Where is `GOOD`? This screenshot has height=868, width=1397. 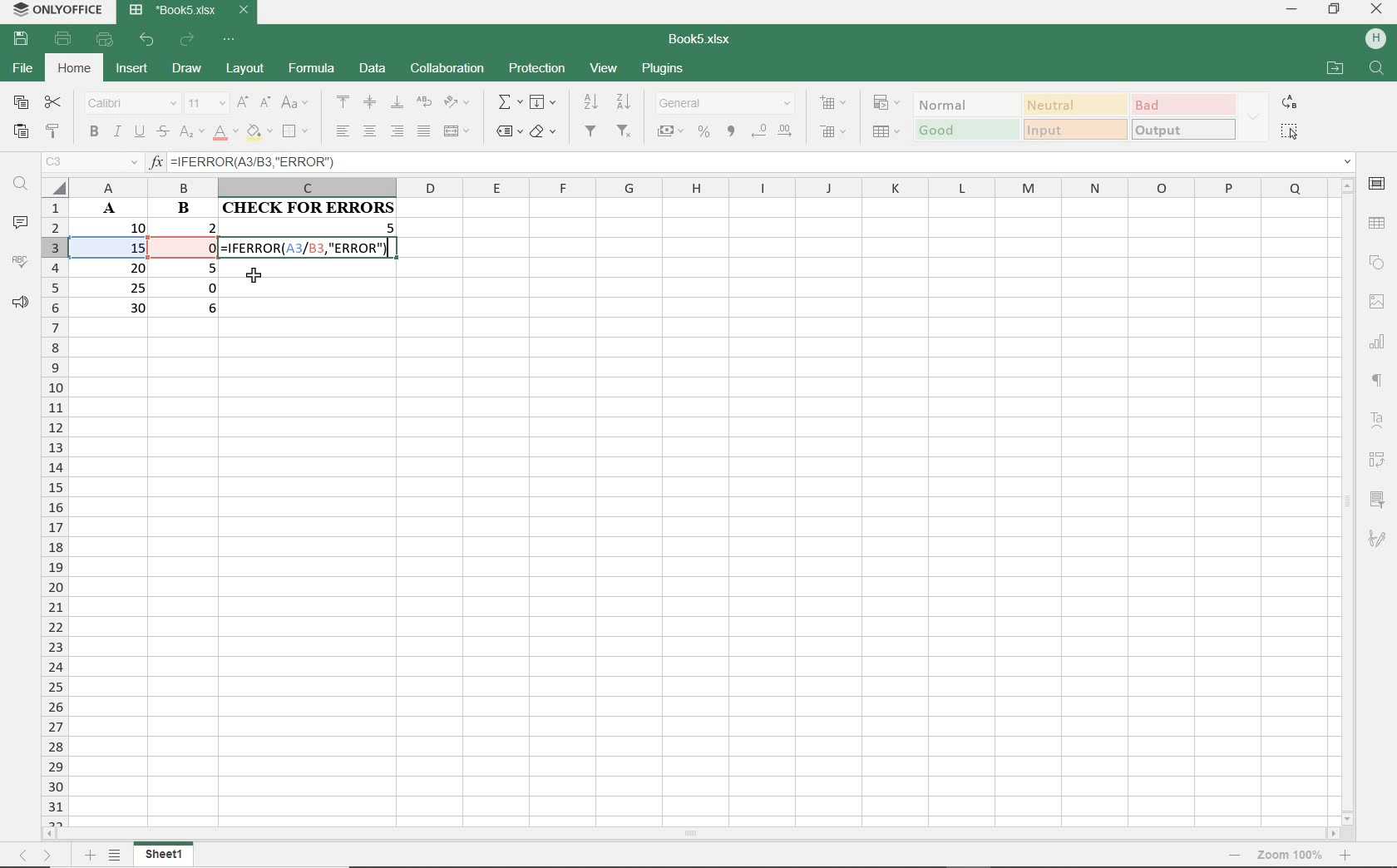 GOOD is located at coordinates (966, 131).